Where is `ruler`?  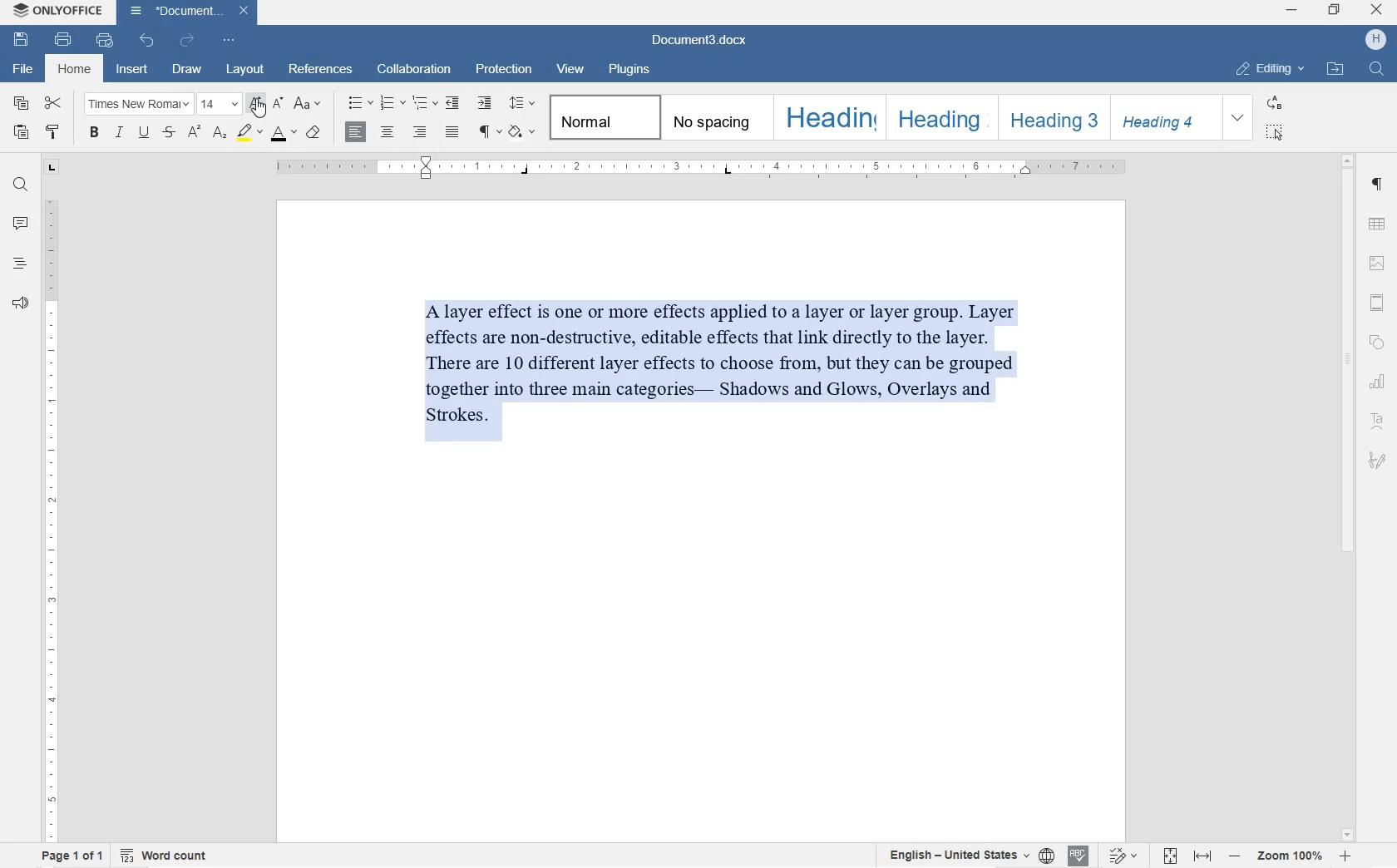 ruler is located at coordinates (702, 168).